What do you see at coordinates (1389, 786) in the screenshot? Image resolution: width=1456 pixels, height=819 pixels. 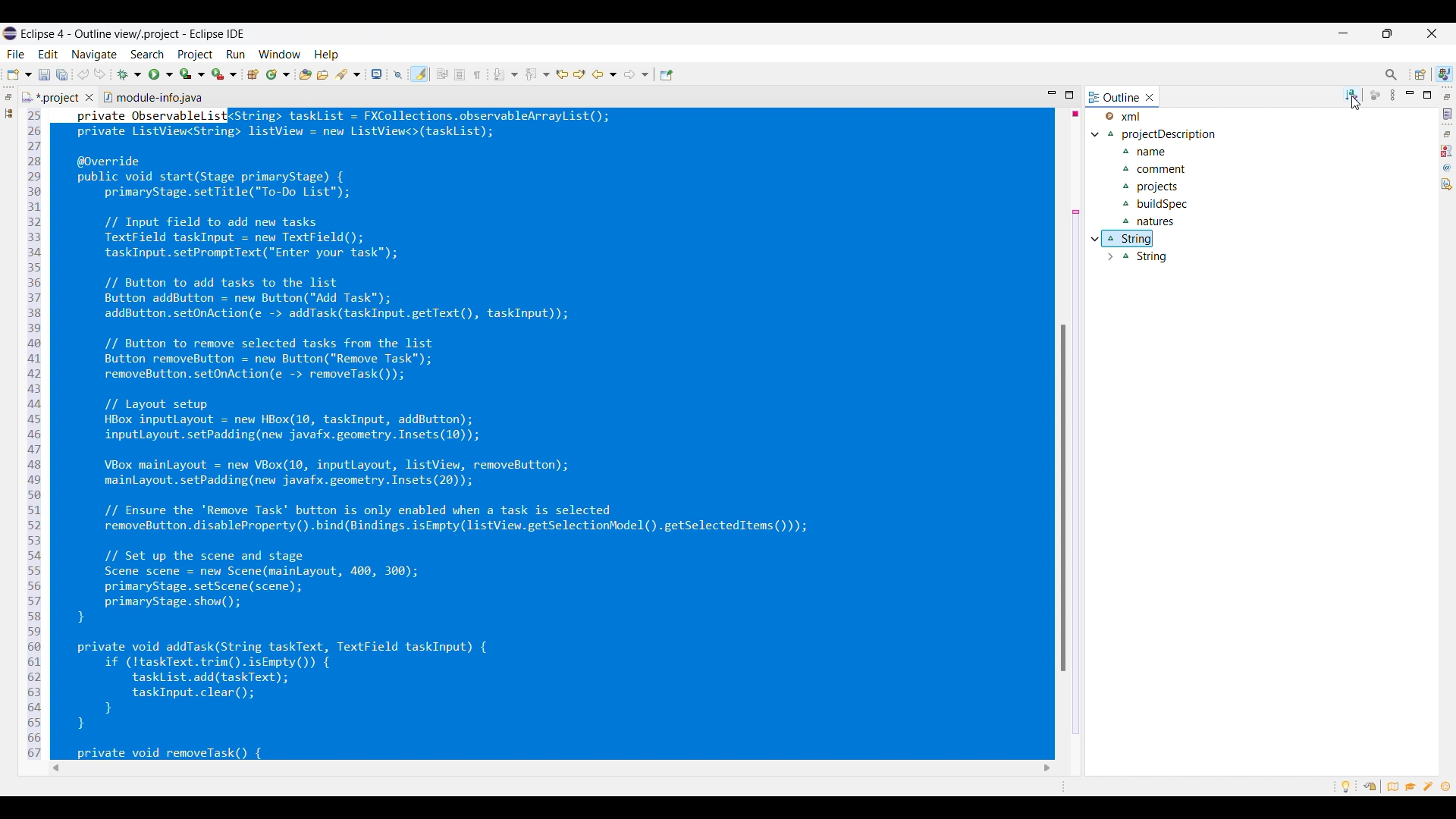 I see `Overview` at bounding box center [1389, 786].